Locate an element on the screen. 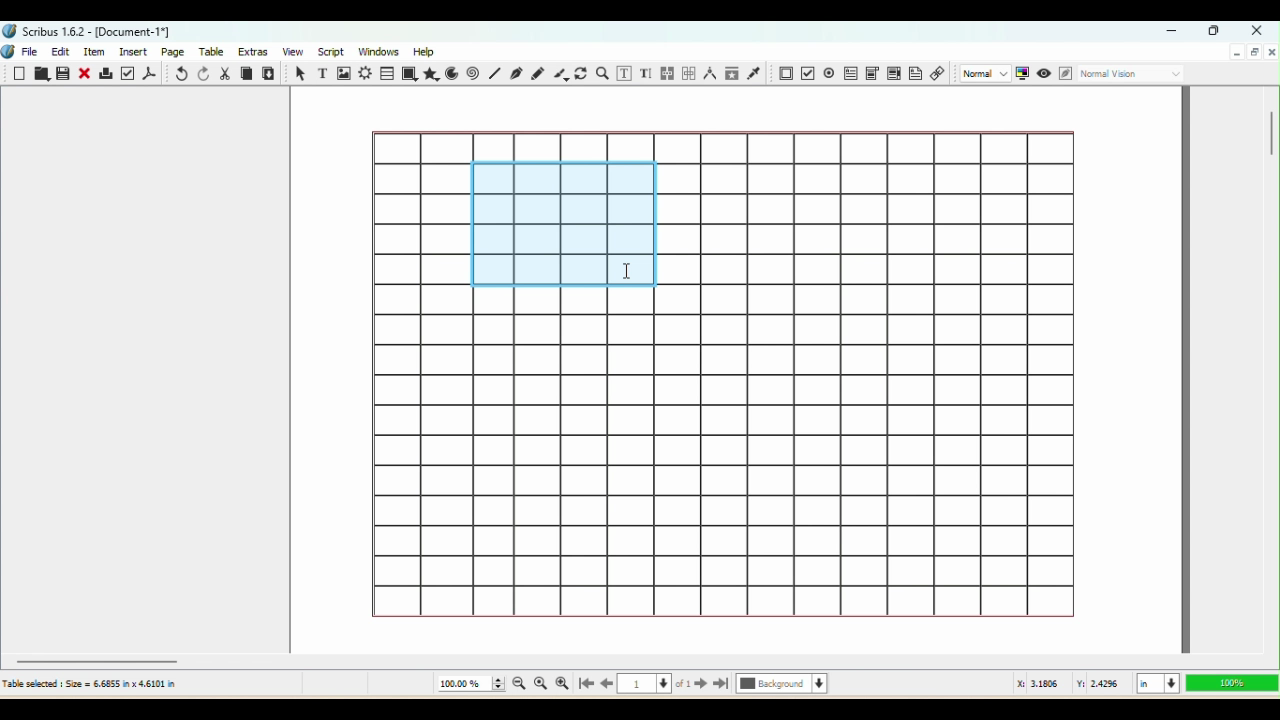 This screenshot has width=1280, height=720. Zoom level is located at coordinates (1230, 683).